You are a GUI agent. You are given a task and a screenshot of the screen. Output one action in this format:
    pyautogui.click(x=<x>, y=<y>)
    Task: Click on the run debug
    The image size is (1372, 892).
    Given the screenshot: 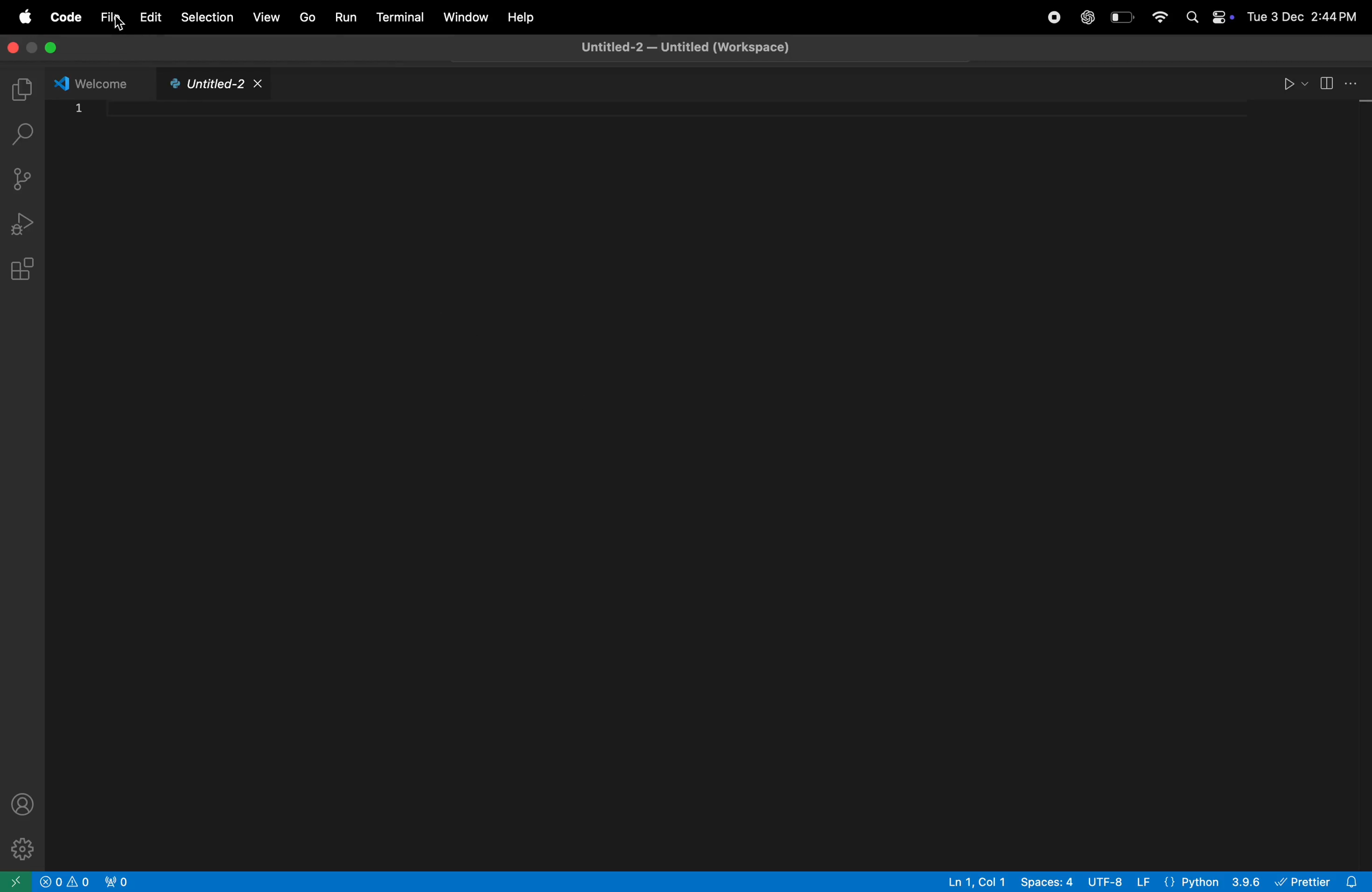 What is the action you would take?
    pyautogui.click(x=24, y=220)
    